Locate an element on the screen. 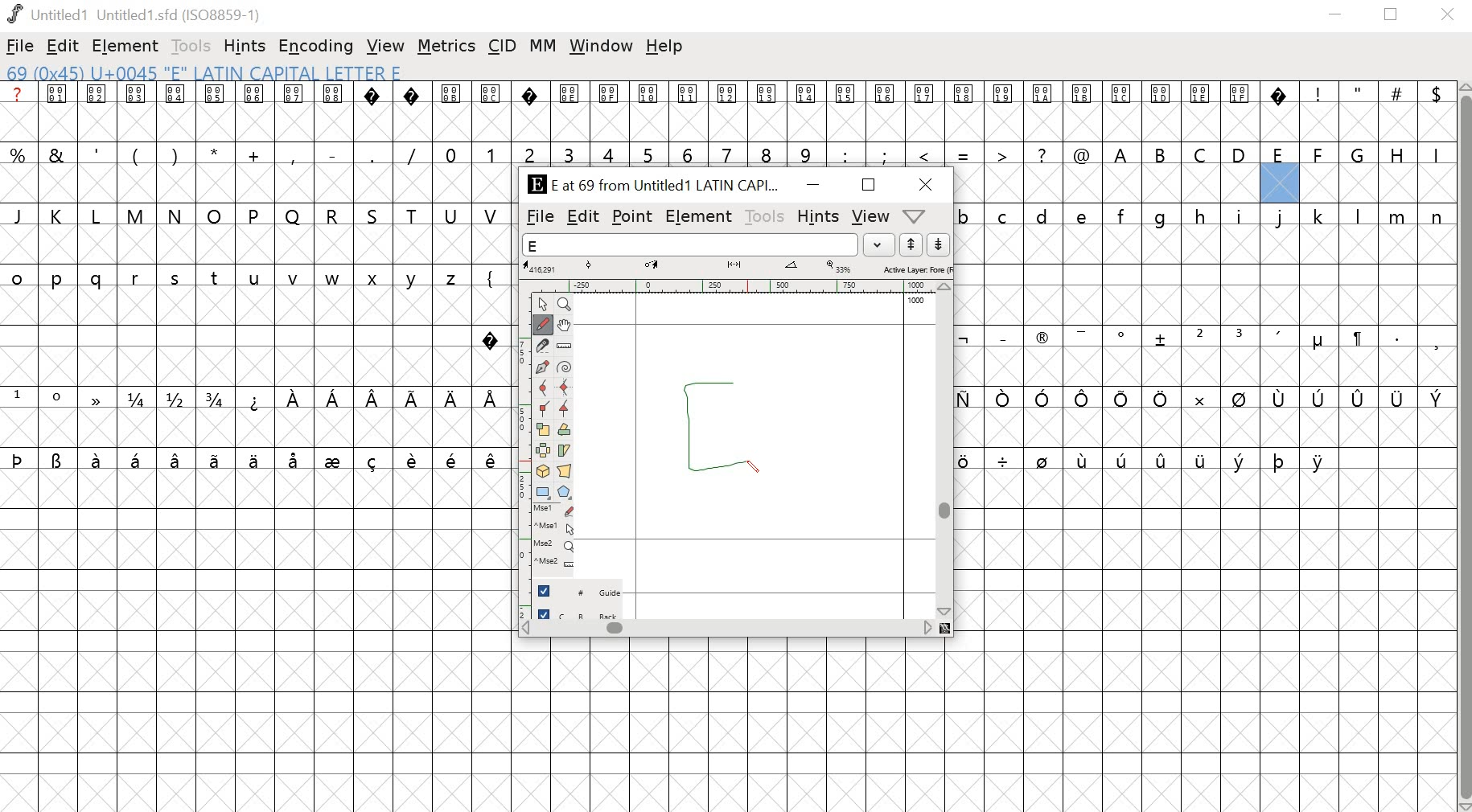  metrics is located at coordinates (446, 48).